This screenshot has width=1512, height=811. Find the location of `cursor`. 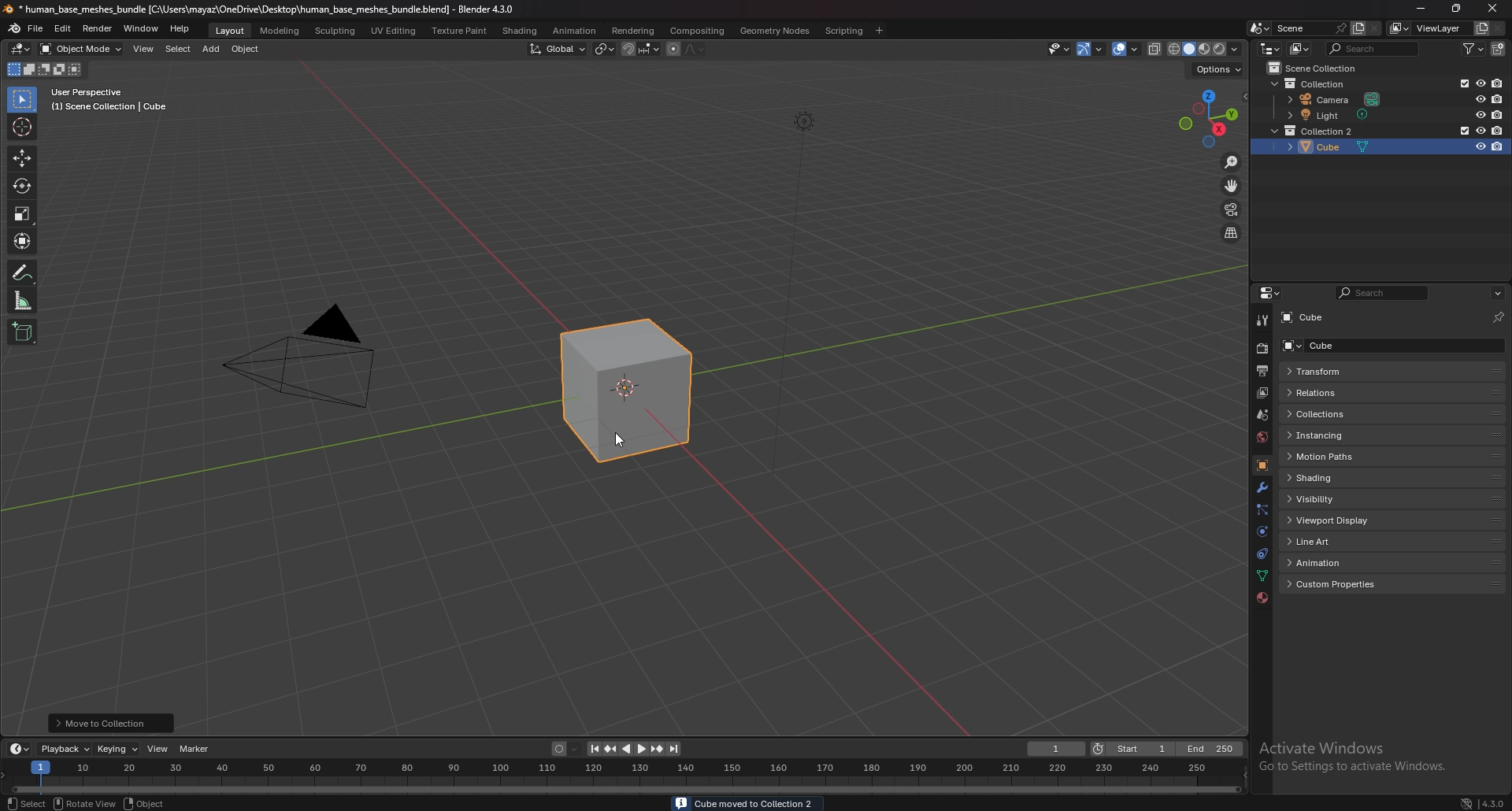

cursor is located at coordinates (617, 439).